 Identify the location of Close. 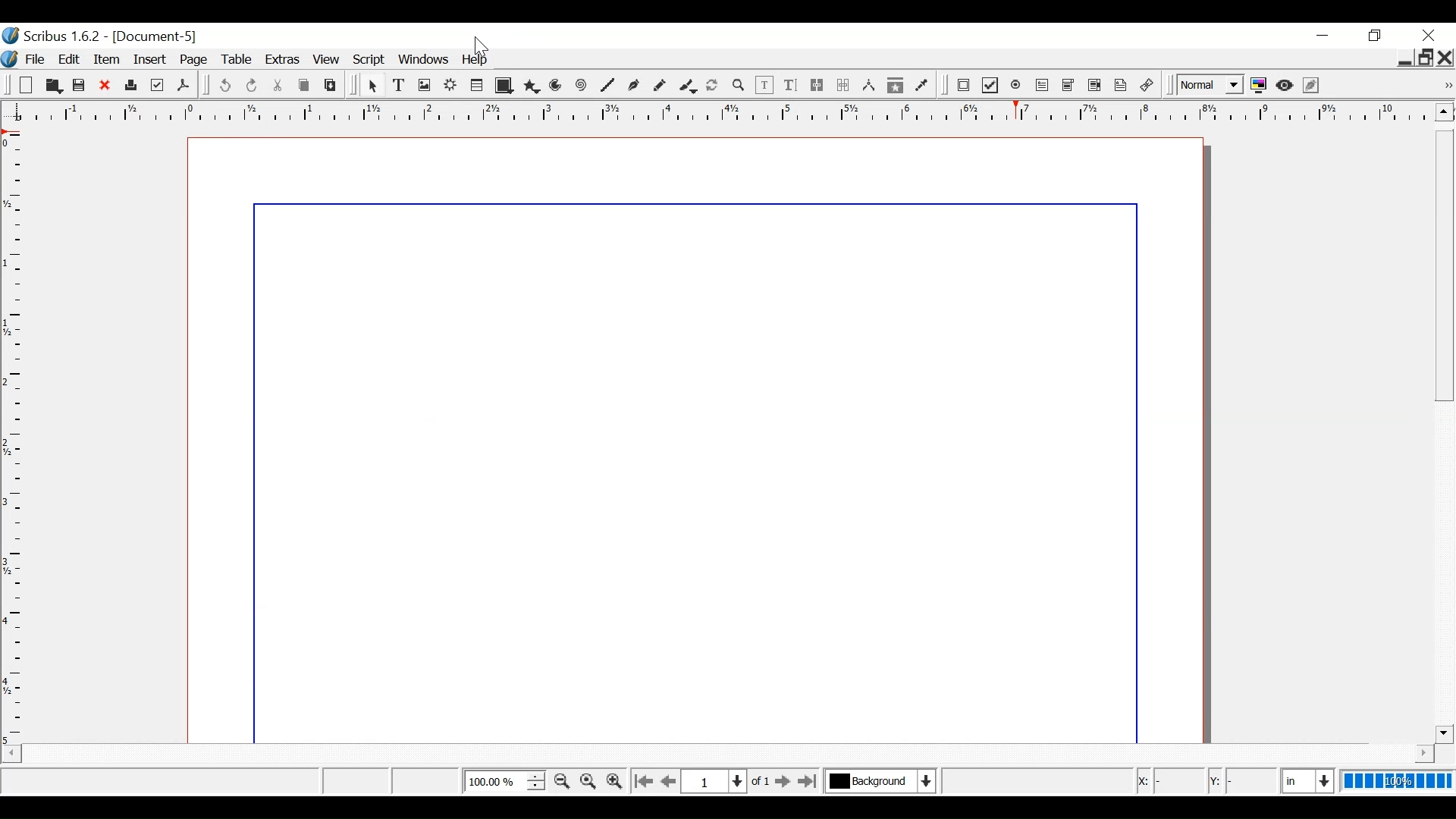
(105, 86).